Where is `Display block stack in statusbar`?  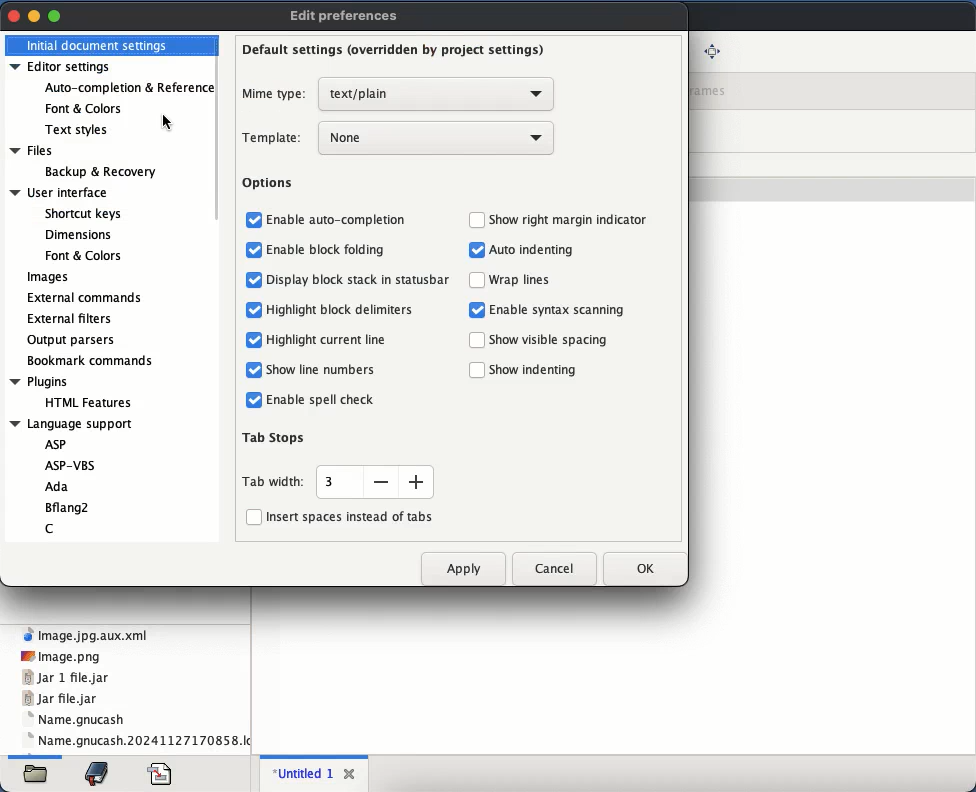
Display block stack in statusbar is located at coordinates (358, 279).